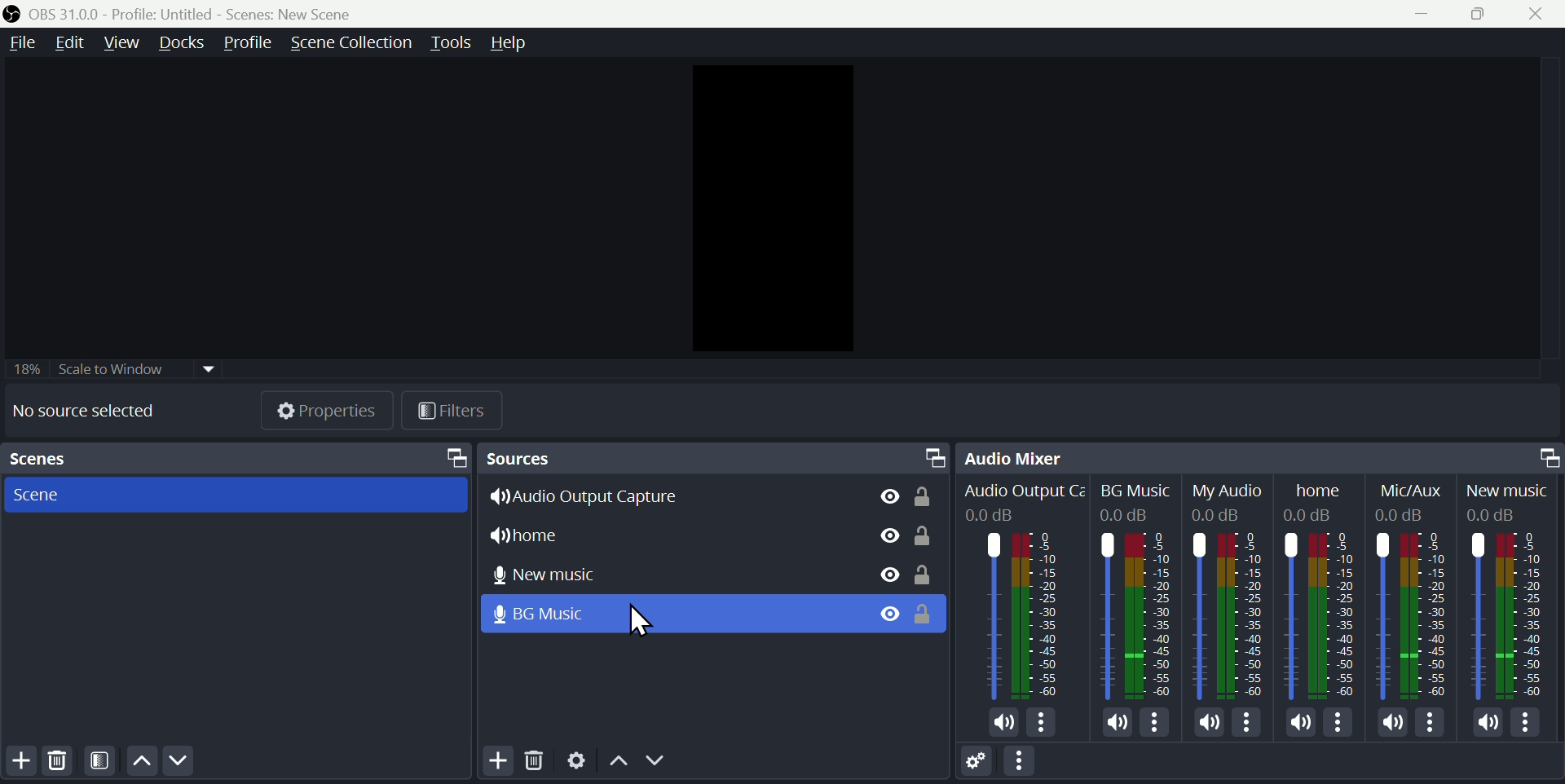  What do you see at coordinates (1137, 586) in the screenshot?
I see `BG Music` at bounding box center [1137, 586].